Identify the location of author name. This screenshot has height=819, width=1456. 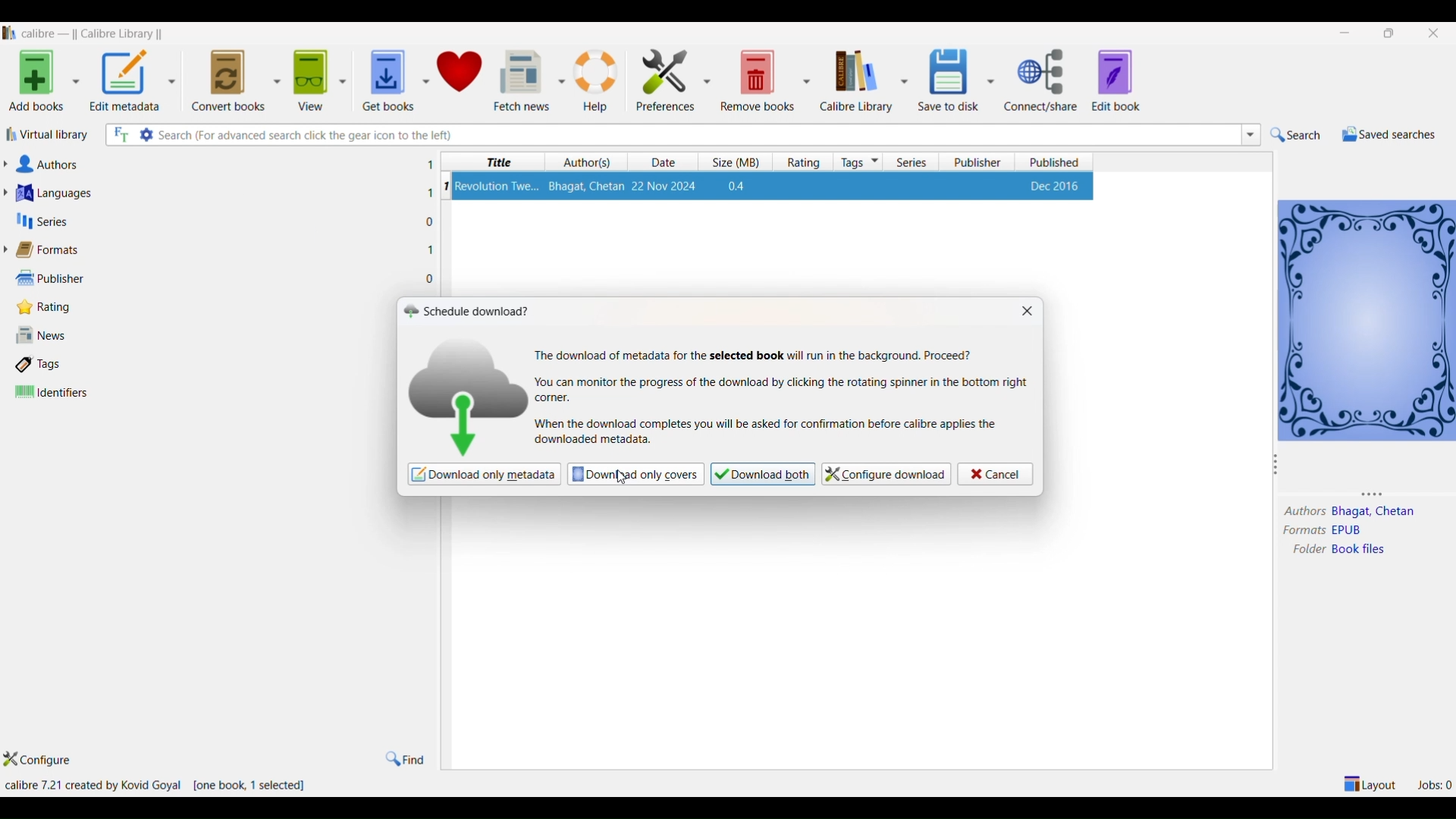
(1376, 513).